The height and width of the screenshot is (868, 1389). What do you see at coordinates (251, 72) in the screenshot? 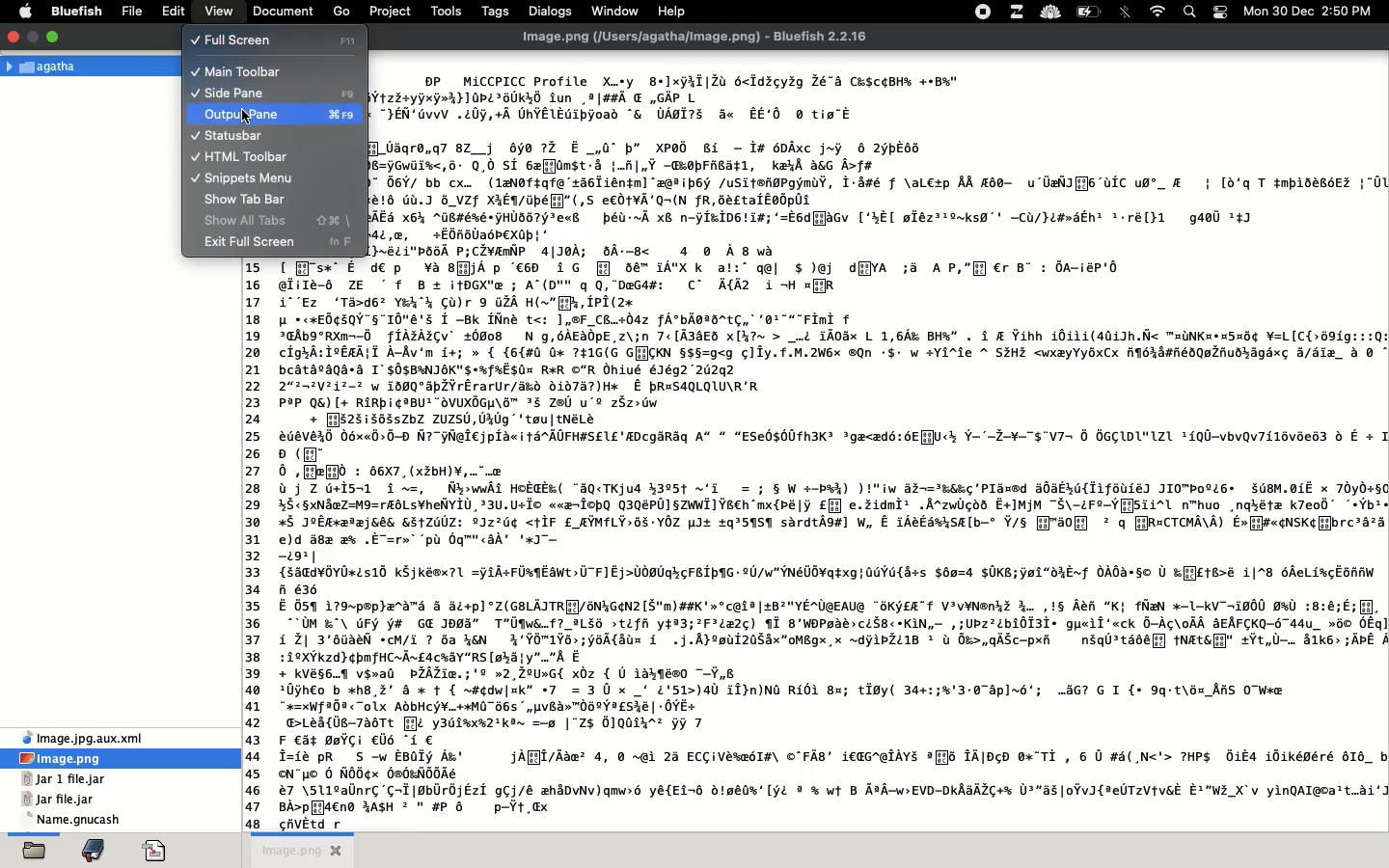
I see `main toolbar` at bounding box center [251, 72].